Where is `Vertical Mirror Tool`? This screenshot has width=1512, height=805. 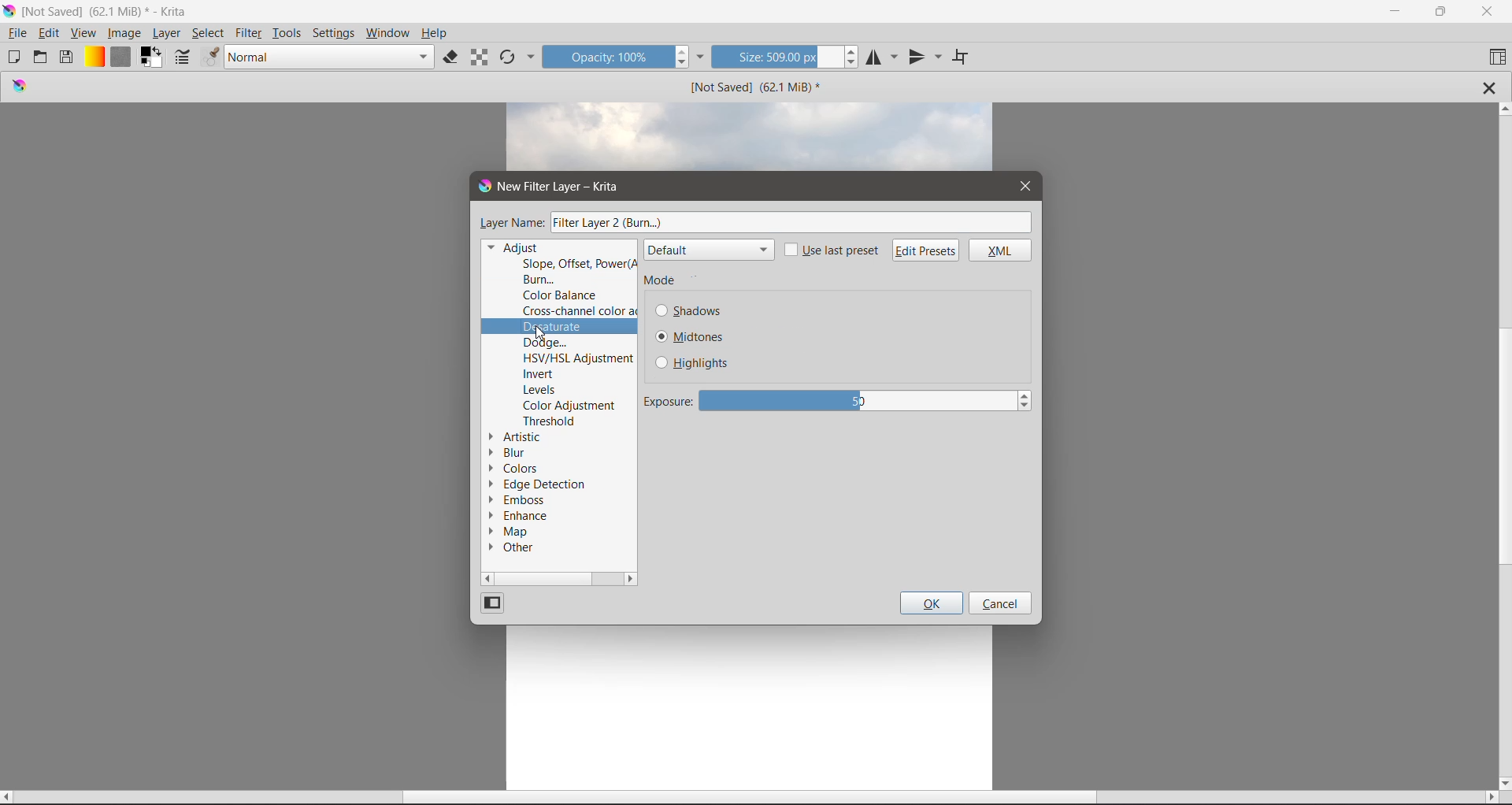
Vertical Mirror Tool is located at coordinates (925, 57).